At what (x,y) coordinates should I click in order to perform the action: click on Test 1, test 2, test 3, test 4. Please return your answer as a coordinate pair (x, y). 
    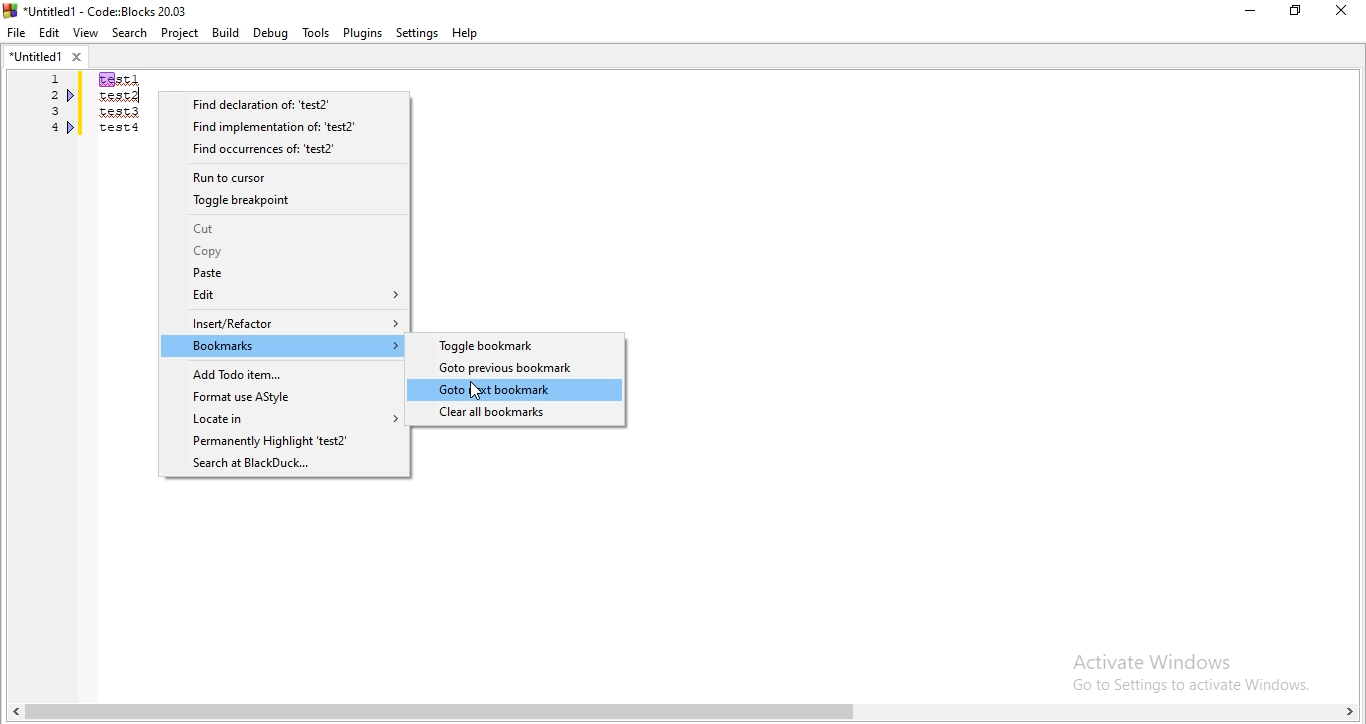
    Looking at the image, I should click on (119, 117).